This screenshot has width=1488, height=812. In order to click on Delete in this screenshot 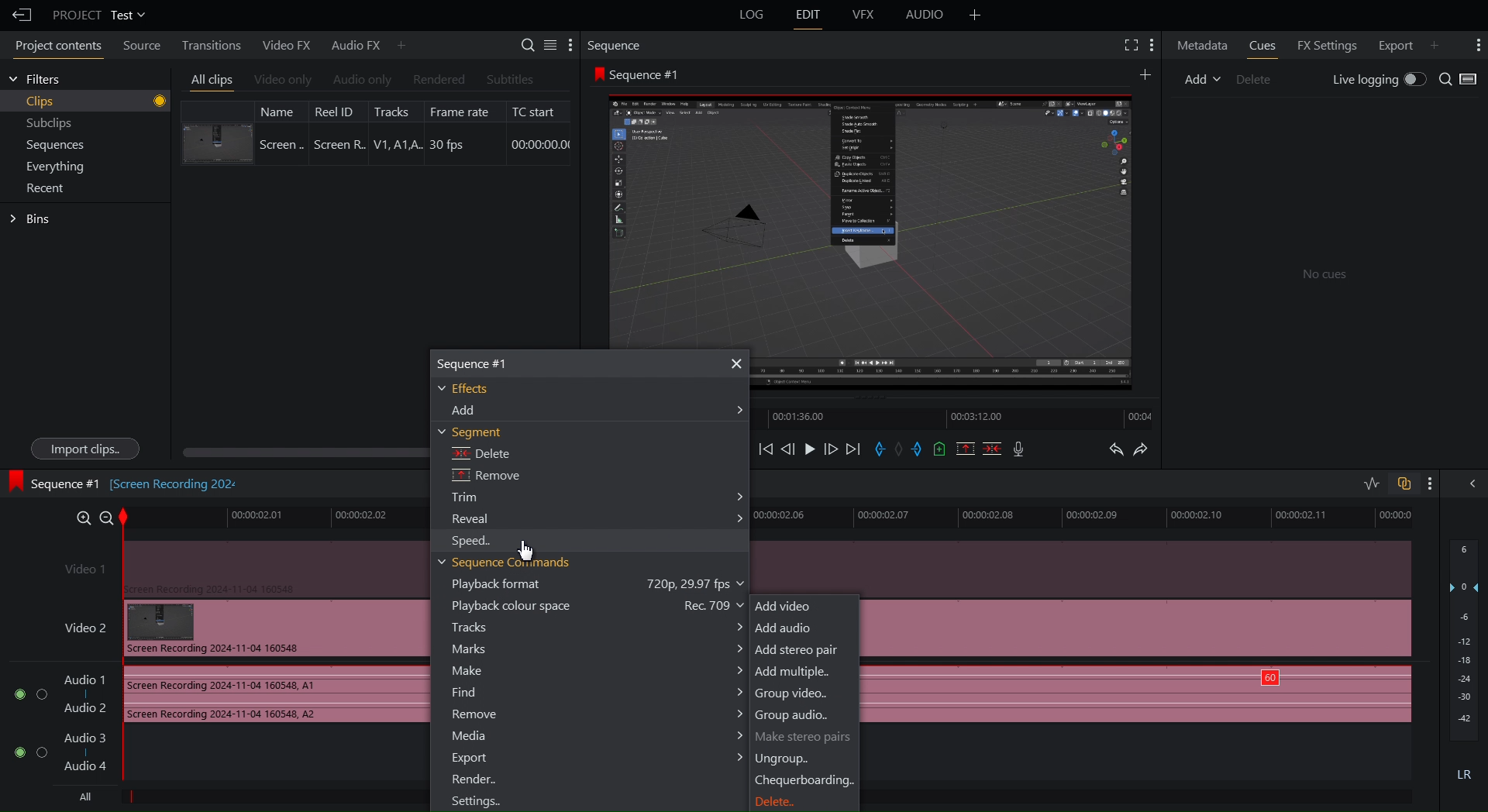, I will do `click(777, 803)`.